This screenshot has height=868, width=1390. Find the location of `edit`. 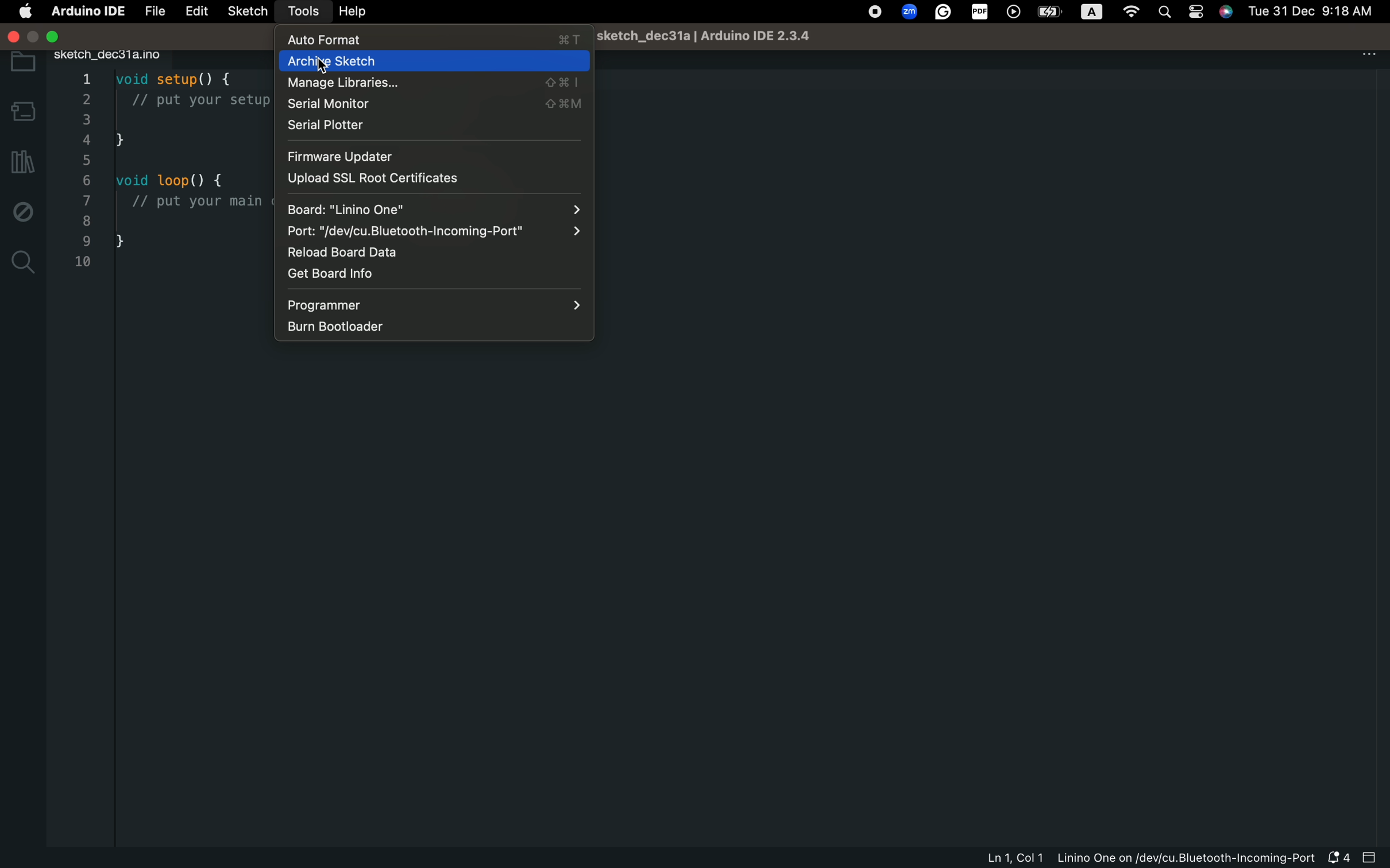

edit is located at coordinates (191, 13).